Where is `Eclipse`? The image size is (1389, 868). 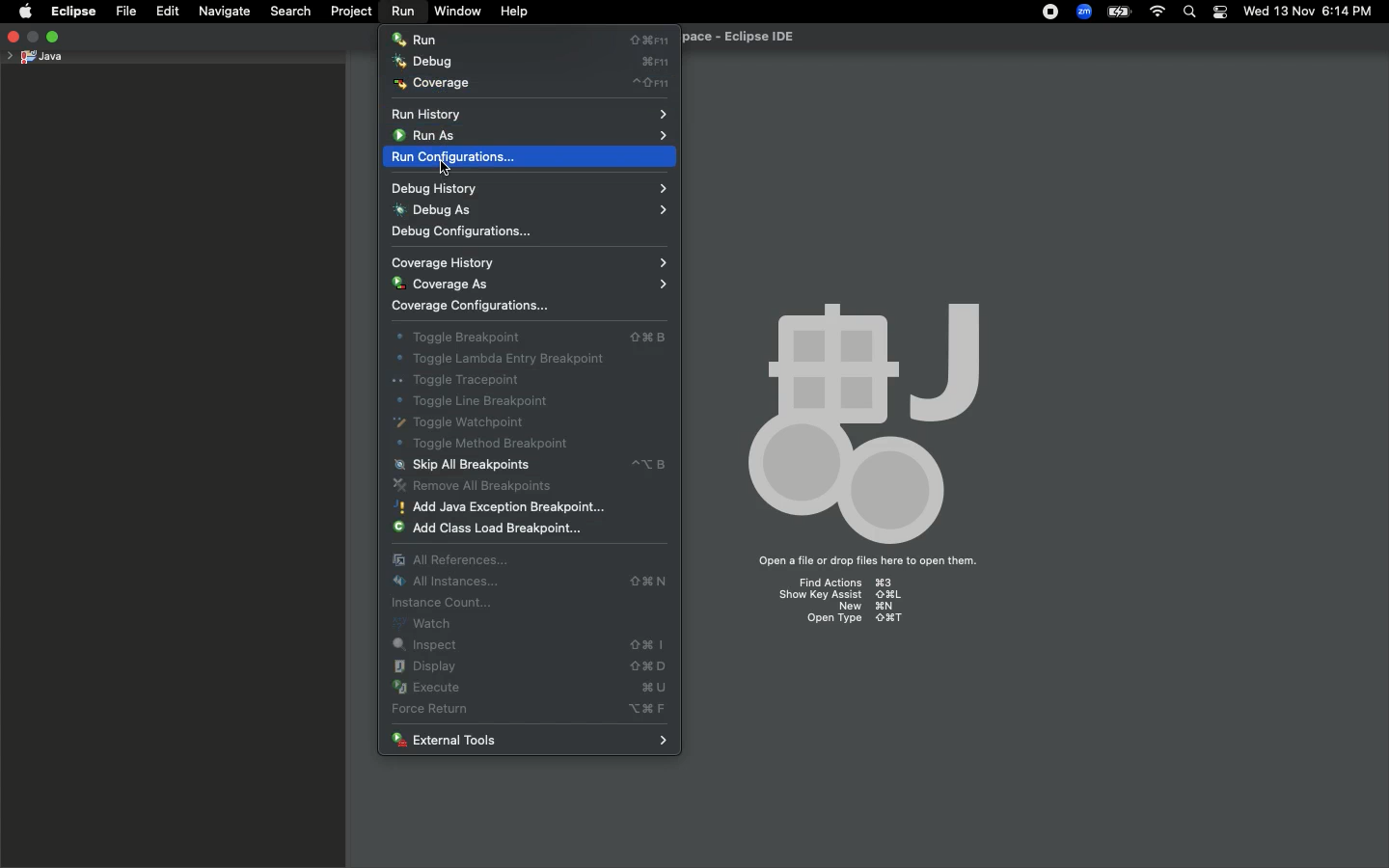
Eclipse is located at coordinates (71, 12).